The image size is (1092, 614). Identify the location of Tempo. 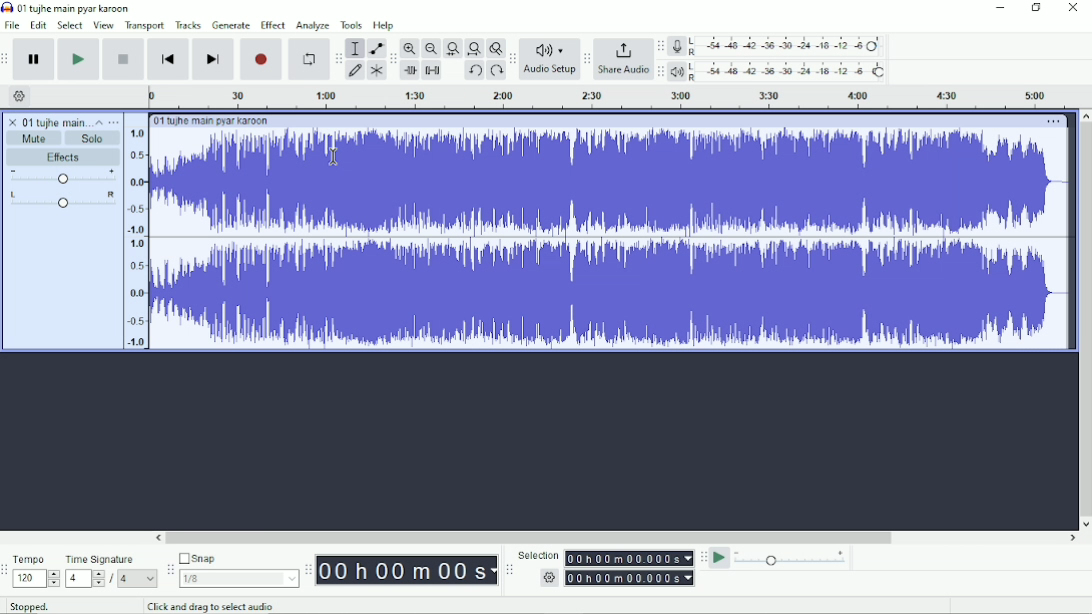
(36, 570).